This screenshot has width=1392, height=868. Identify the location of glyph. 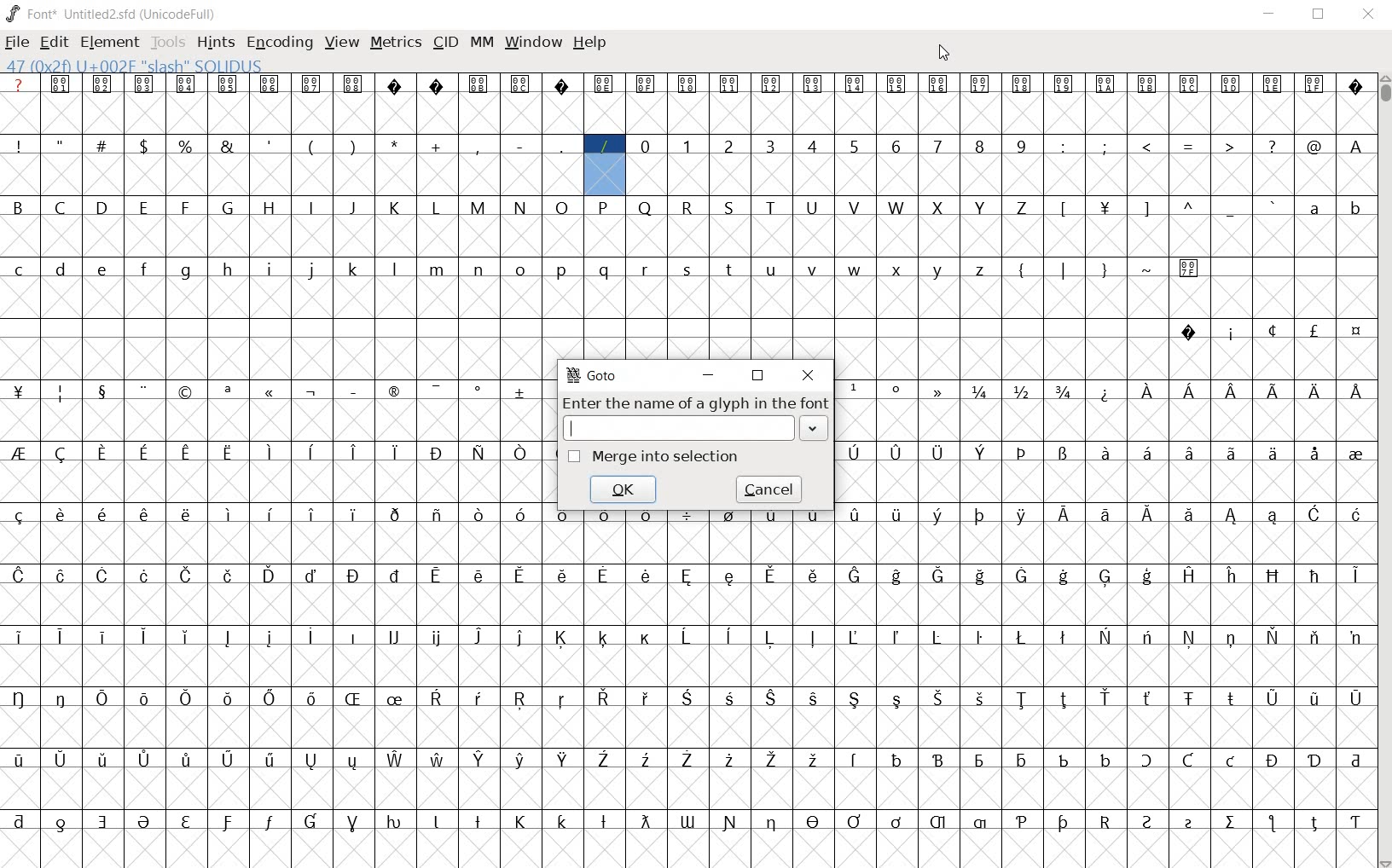
(143, 514).